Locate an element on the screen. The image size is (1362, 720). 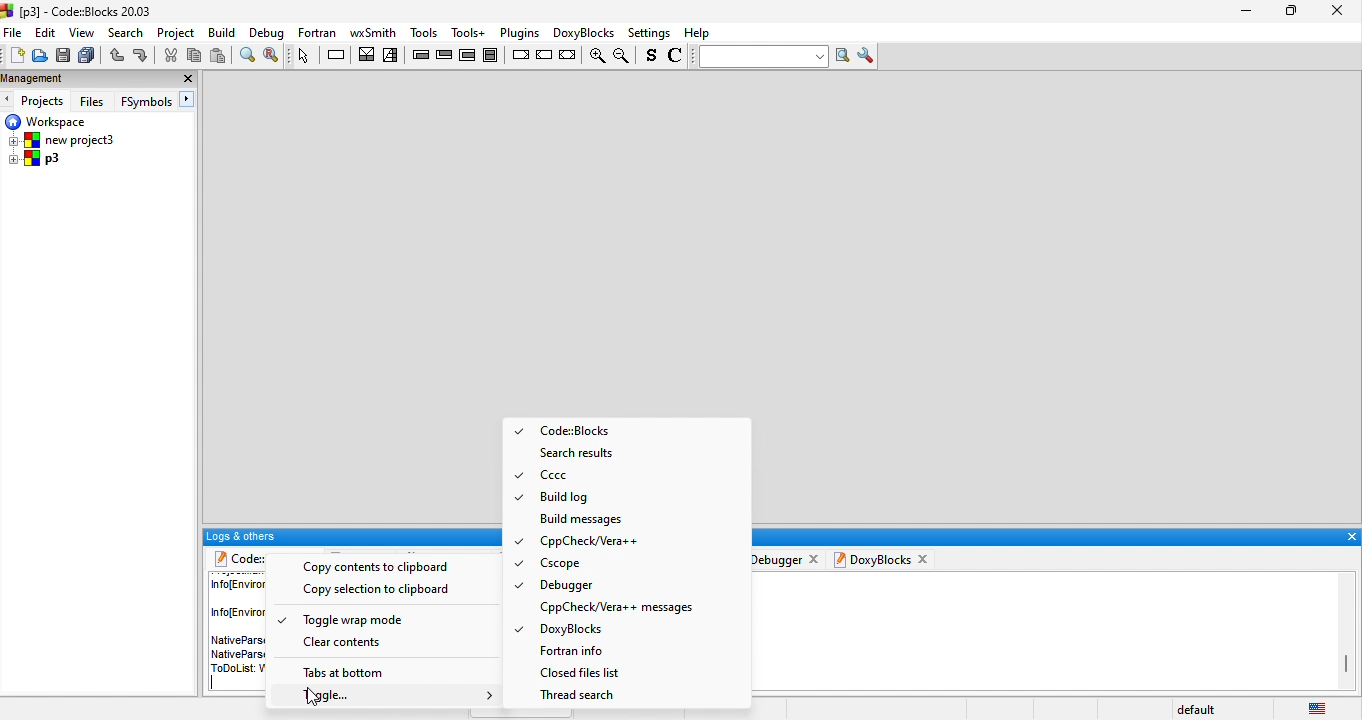
Debug is located at coordinates (267, 33).